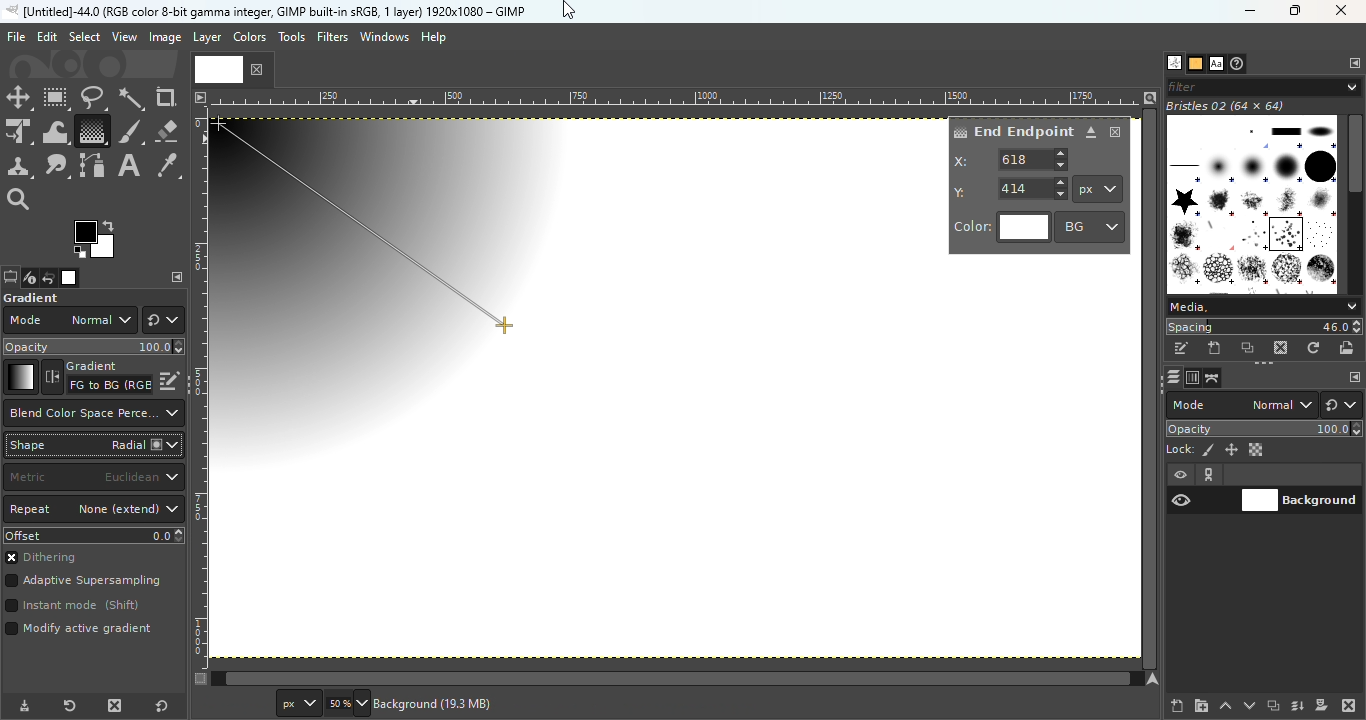 The image size is (1366, 720). Describe the element at coordinates (163, 320) in the screenshot. I see `Switch to another group of modes` at that location.